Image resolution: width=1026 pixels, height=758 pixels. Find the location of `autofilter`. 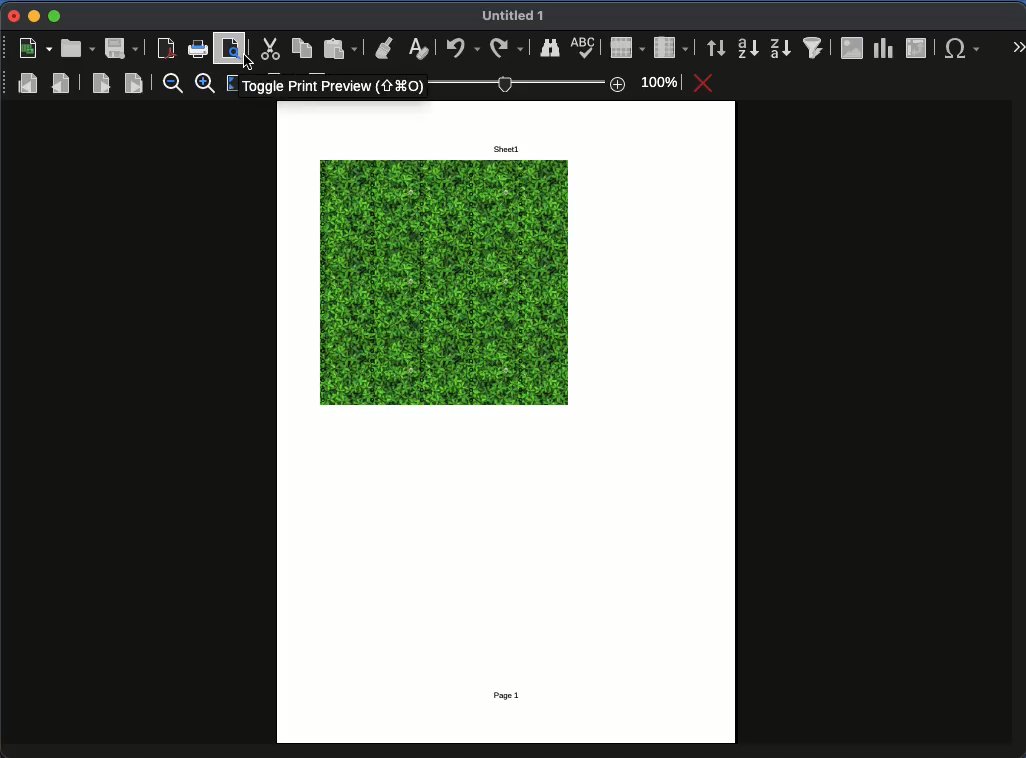

autofilter is located at coordinates (814, 46).